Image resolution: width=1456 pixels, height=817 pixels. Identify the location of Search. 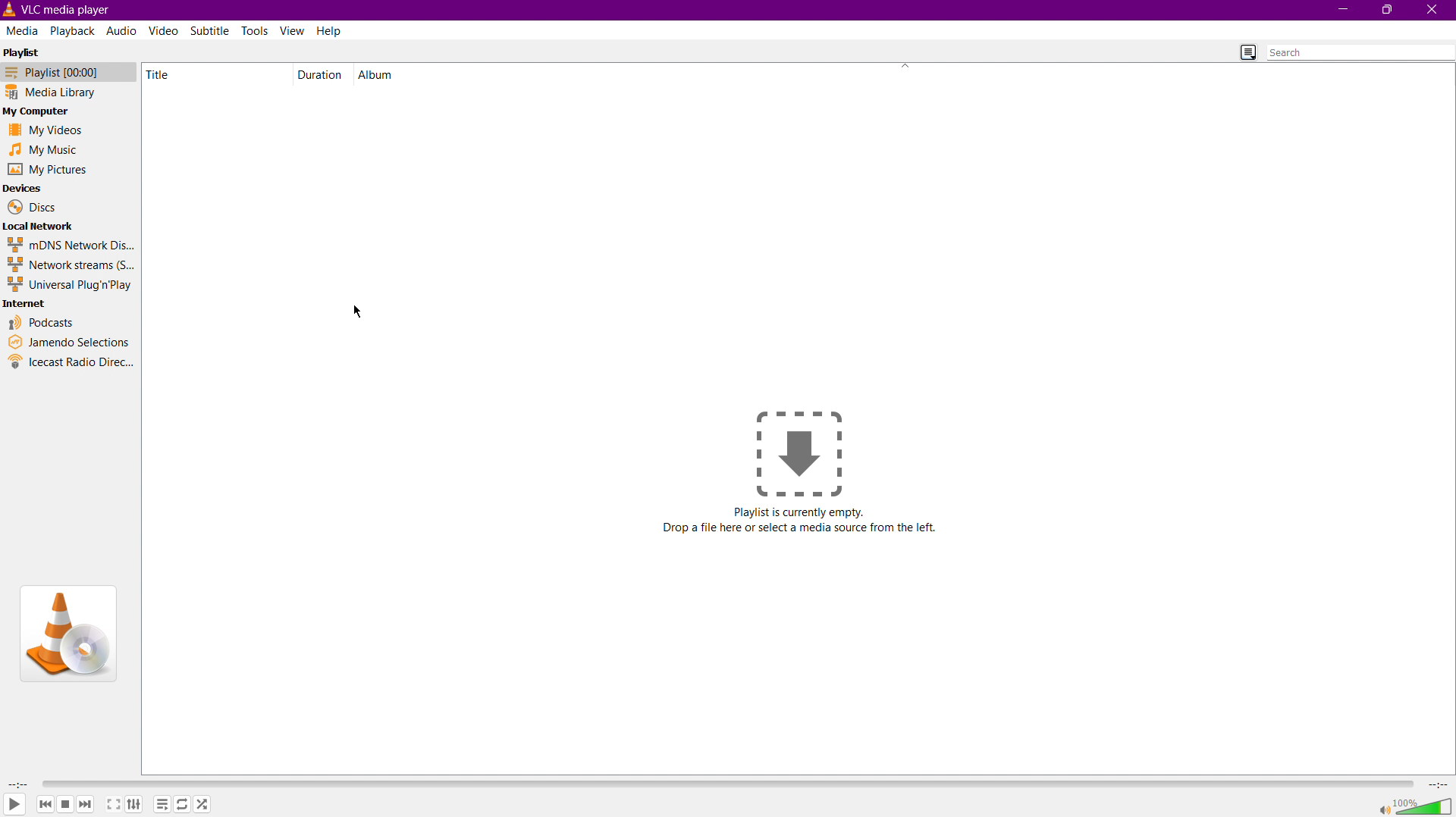
(1360, 52).